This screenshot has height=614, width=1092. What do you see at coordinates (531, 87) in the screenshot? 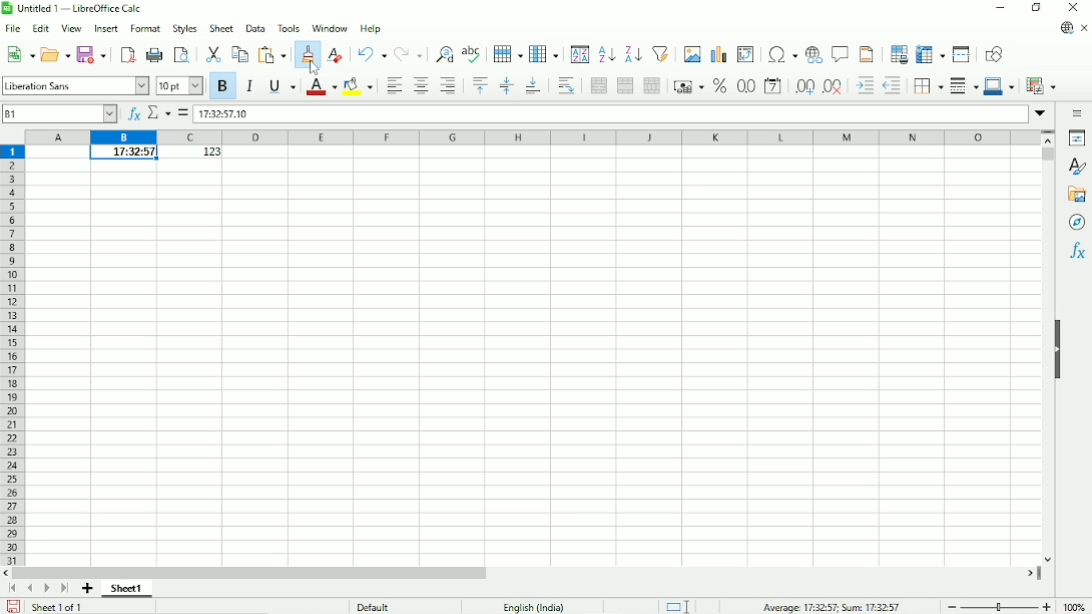
I see `Align bottom` at bounding box center [531, 87].